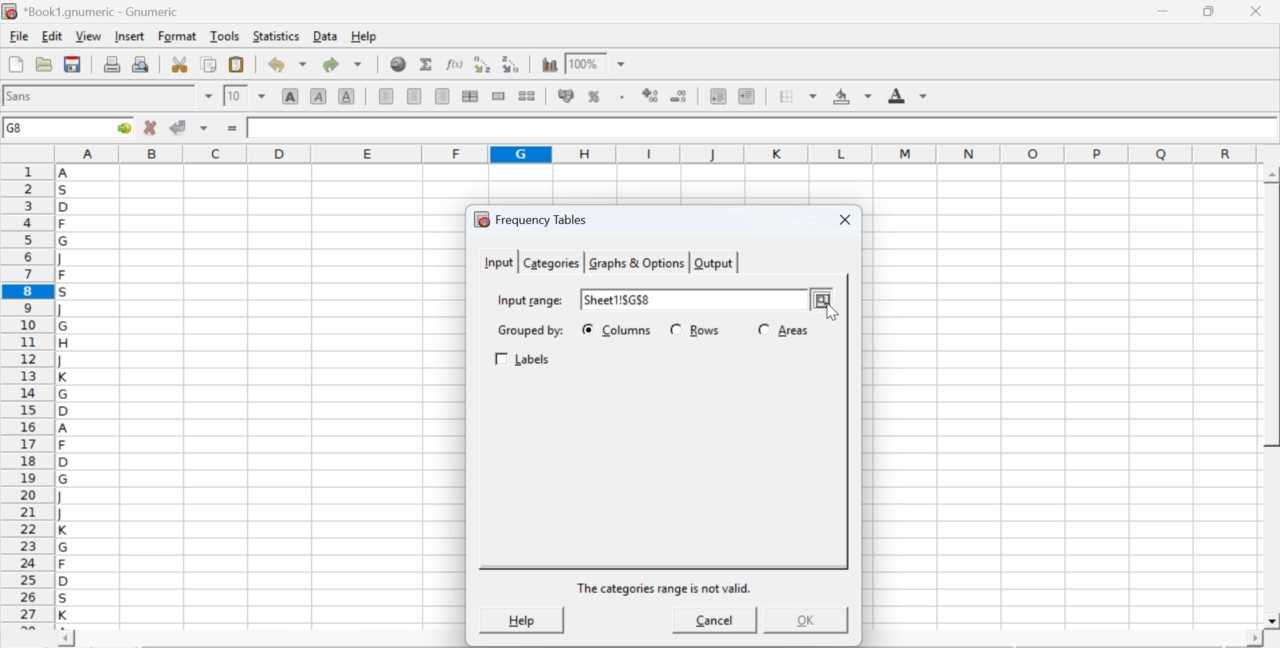 The width and height of the screenshot is (1280, 648). Describe the element at coordinates (824, 310) in the screenshot. I see `cursor` at that location.